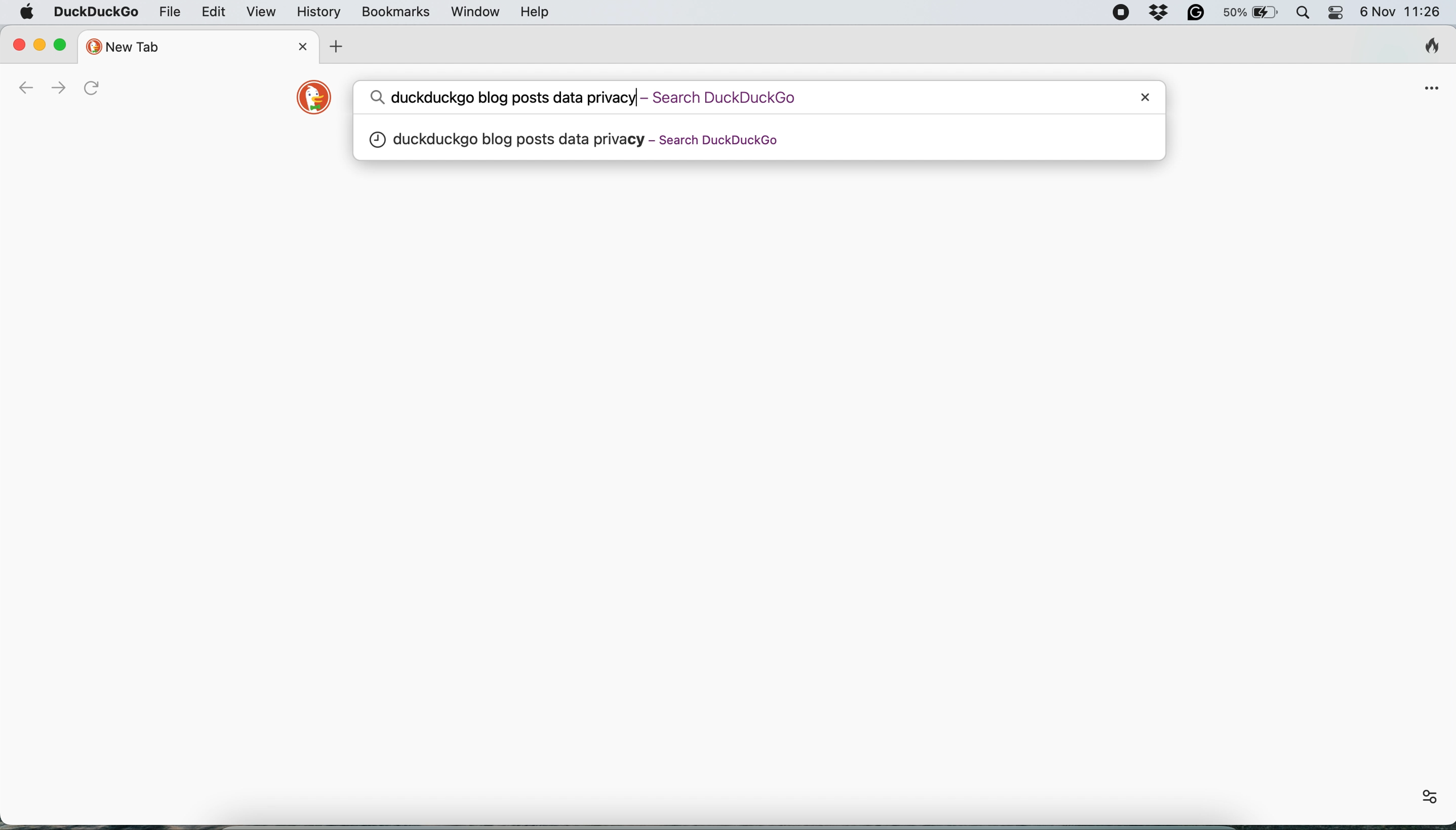 The image size is (1456, 830). Describe the element at coordinates (1301, 13) in the screenshot. I see `spotlight search` at that location.